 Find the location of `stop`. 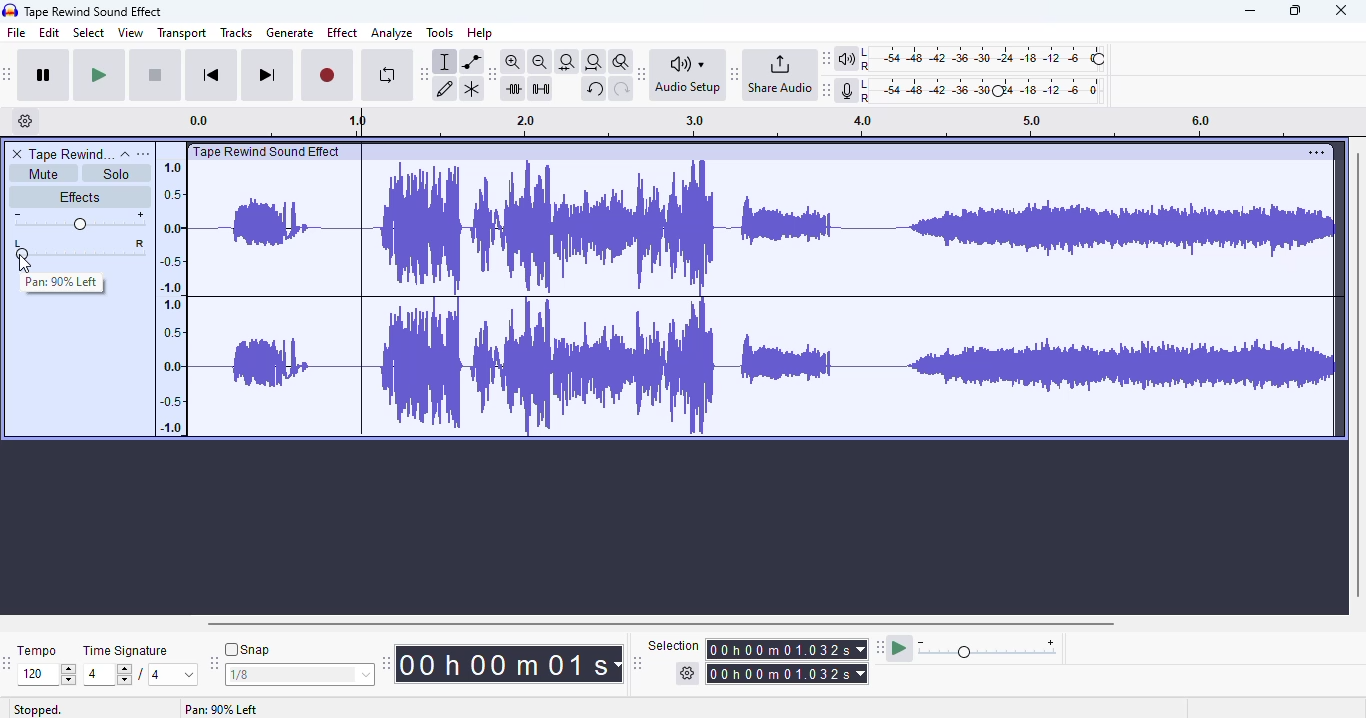

stop is located at coordinates (155, 76).